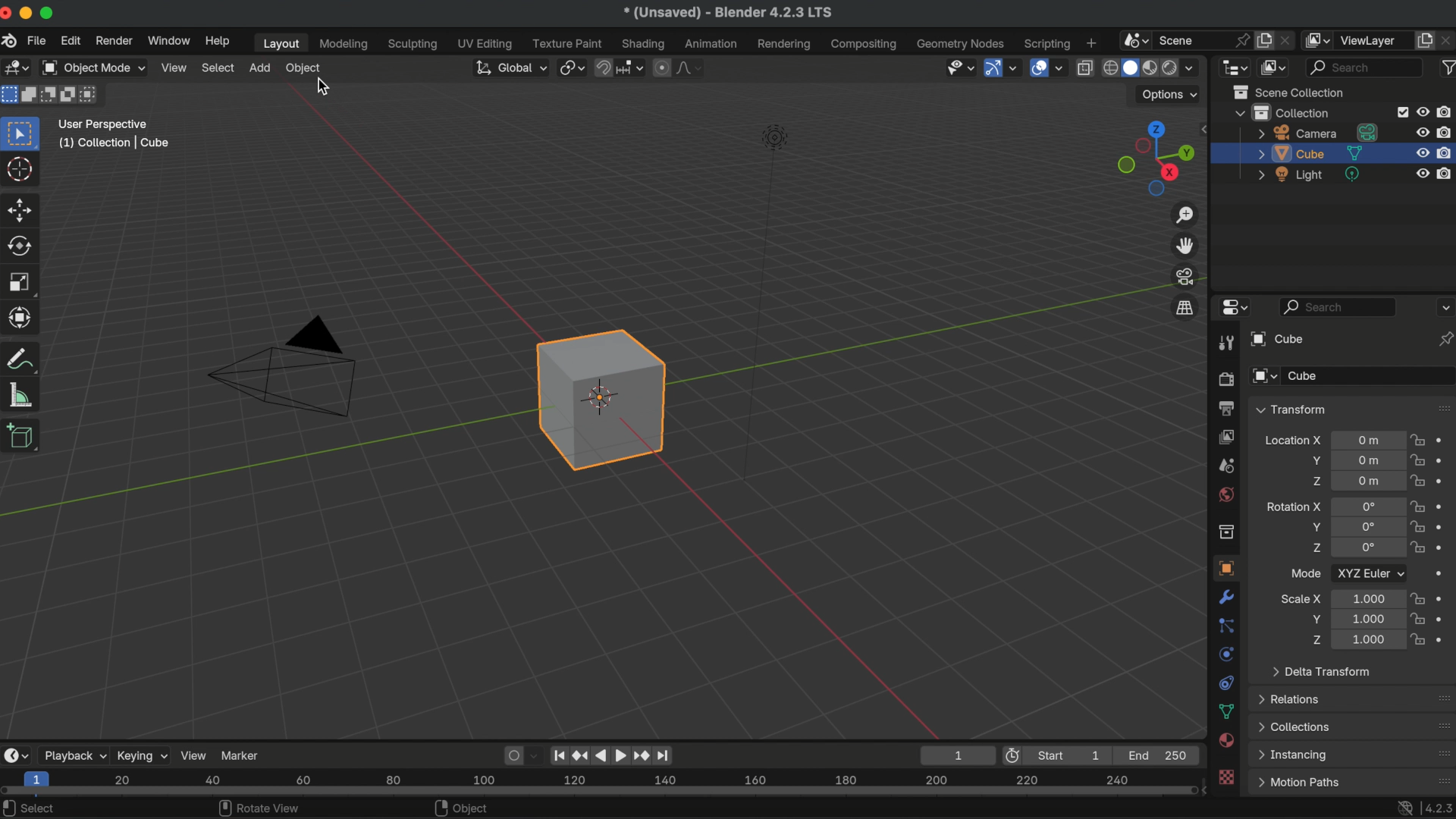  I want to click on editor type, so click(15, 755).